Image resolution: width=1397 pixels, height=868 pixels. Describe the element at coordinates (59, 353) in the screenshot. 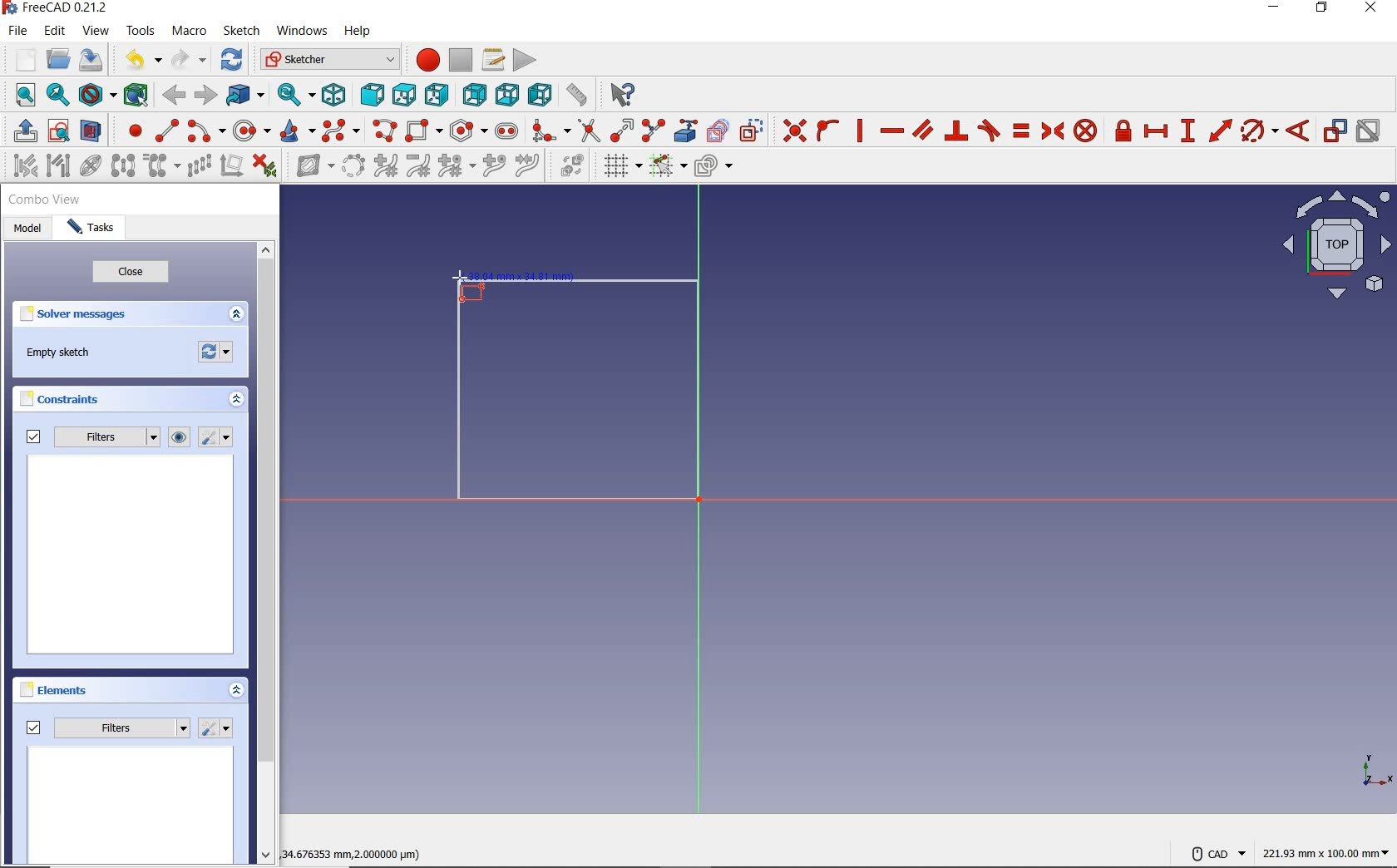

I see `empty sketch` at that location.